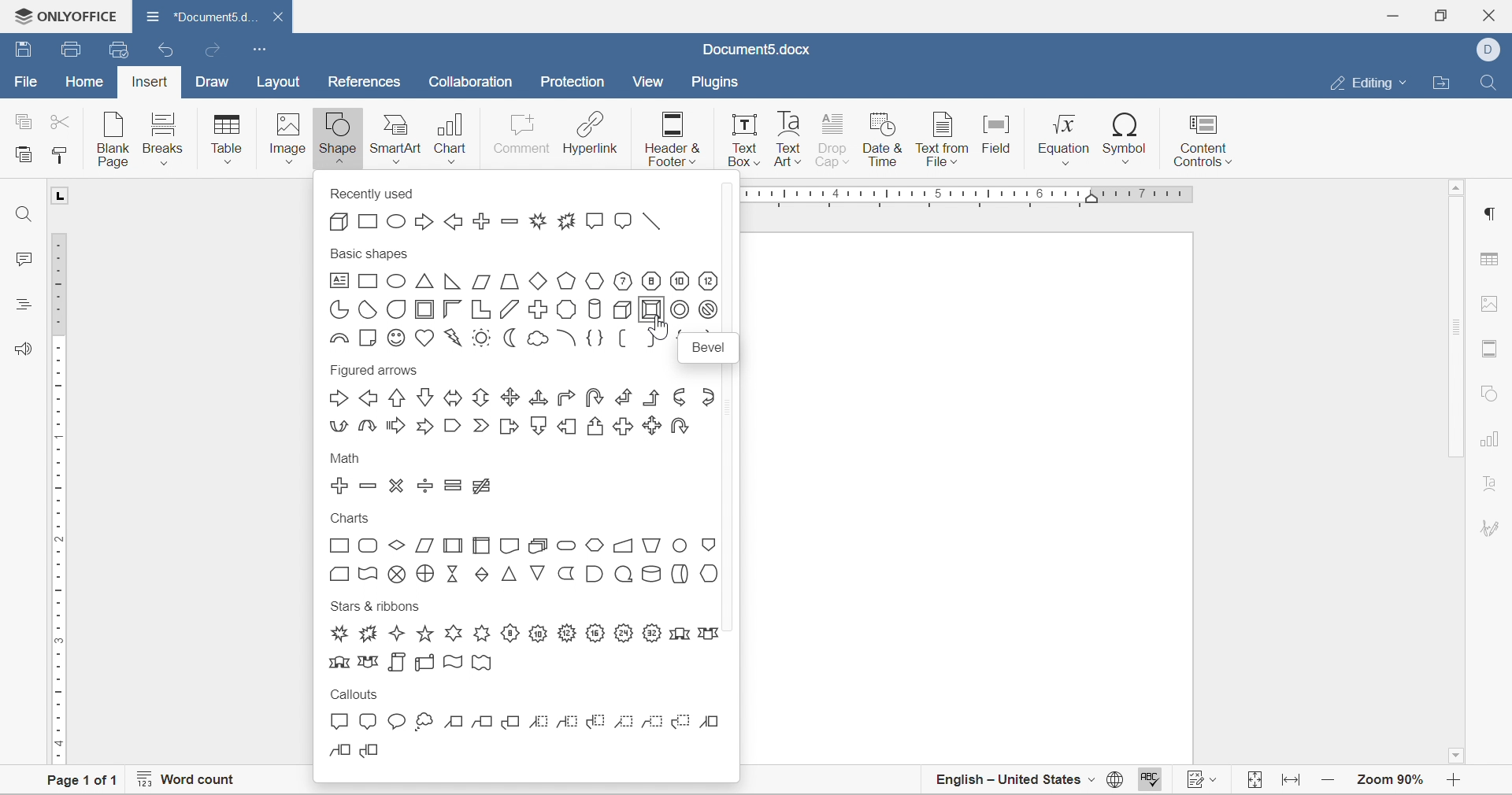 The height and width of the screenshot is (795, 1512). What do you see at coordinates (64, 198) in the screenshot?
I see `L` at bounding box center [64, 198].